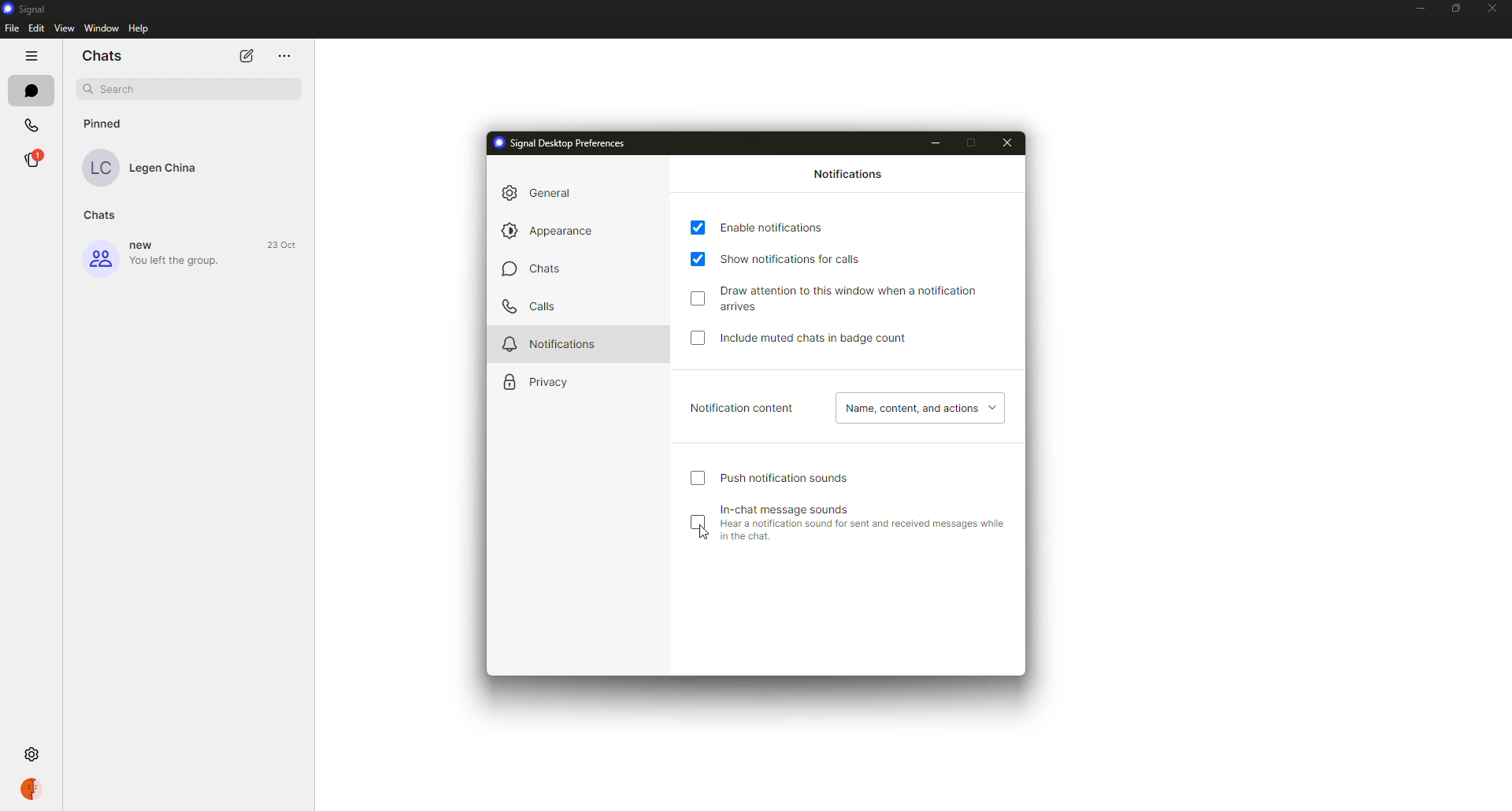 This screenshot has height=811, width=1512. Describe the element at coordinates (971, 142) in the screenshot. I see `maximize` at that location.